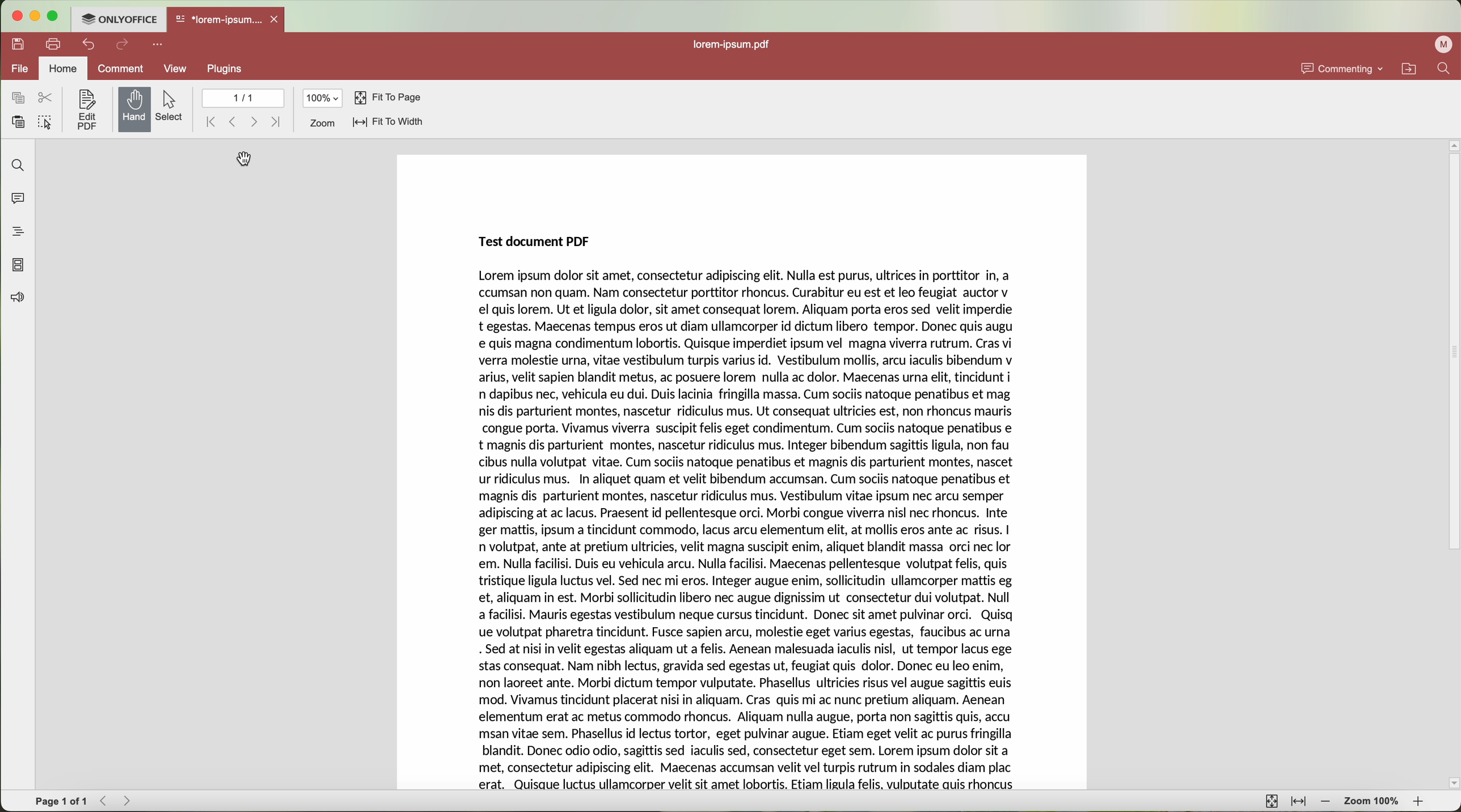  Describe the element at coordinates (157, 45) in the screenshot. I see `customize quick access toolbar` at that location.